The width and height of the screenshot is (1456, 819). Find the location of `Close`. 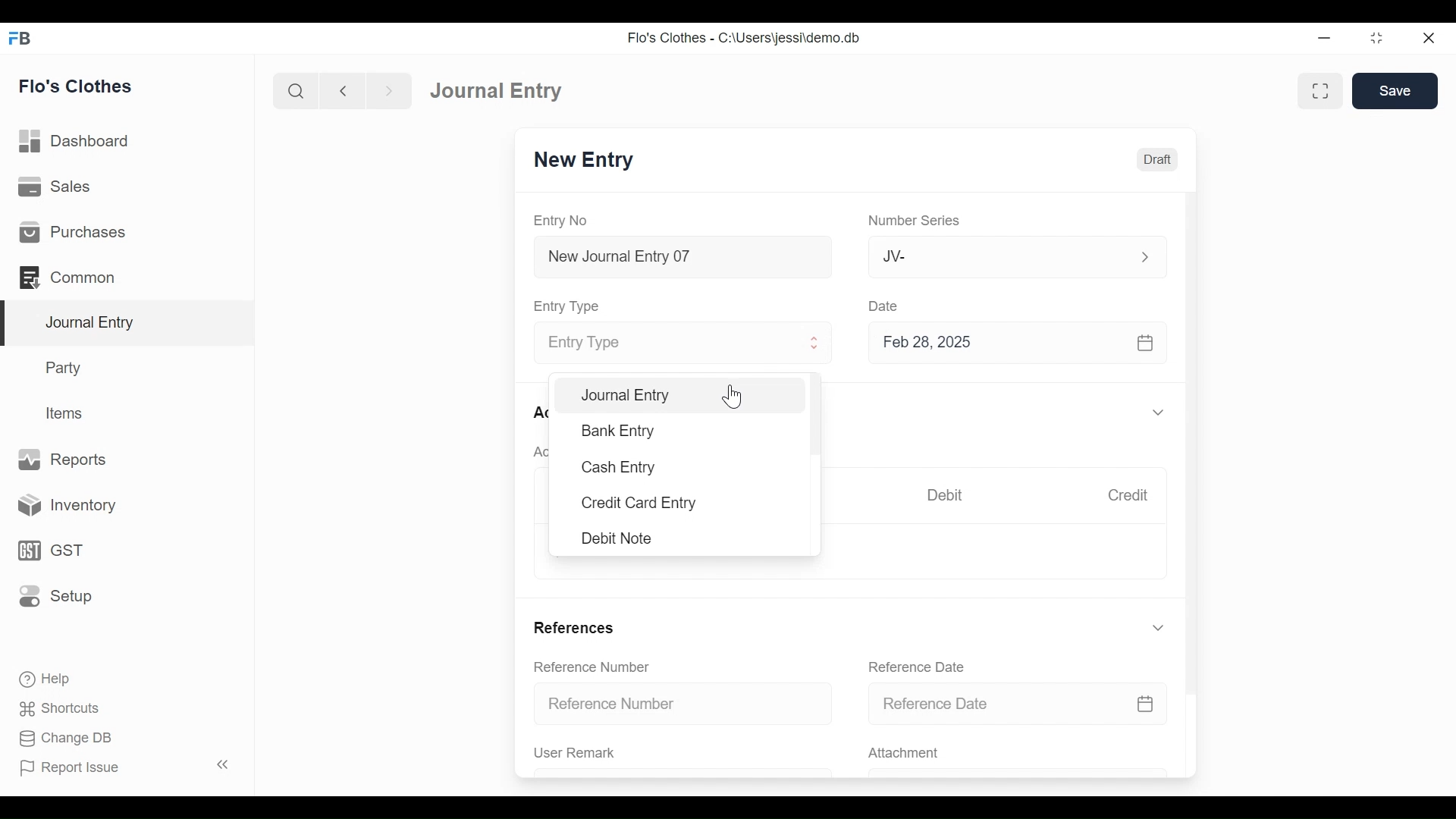

Close is located at coordinates (1429, 39).